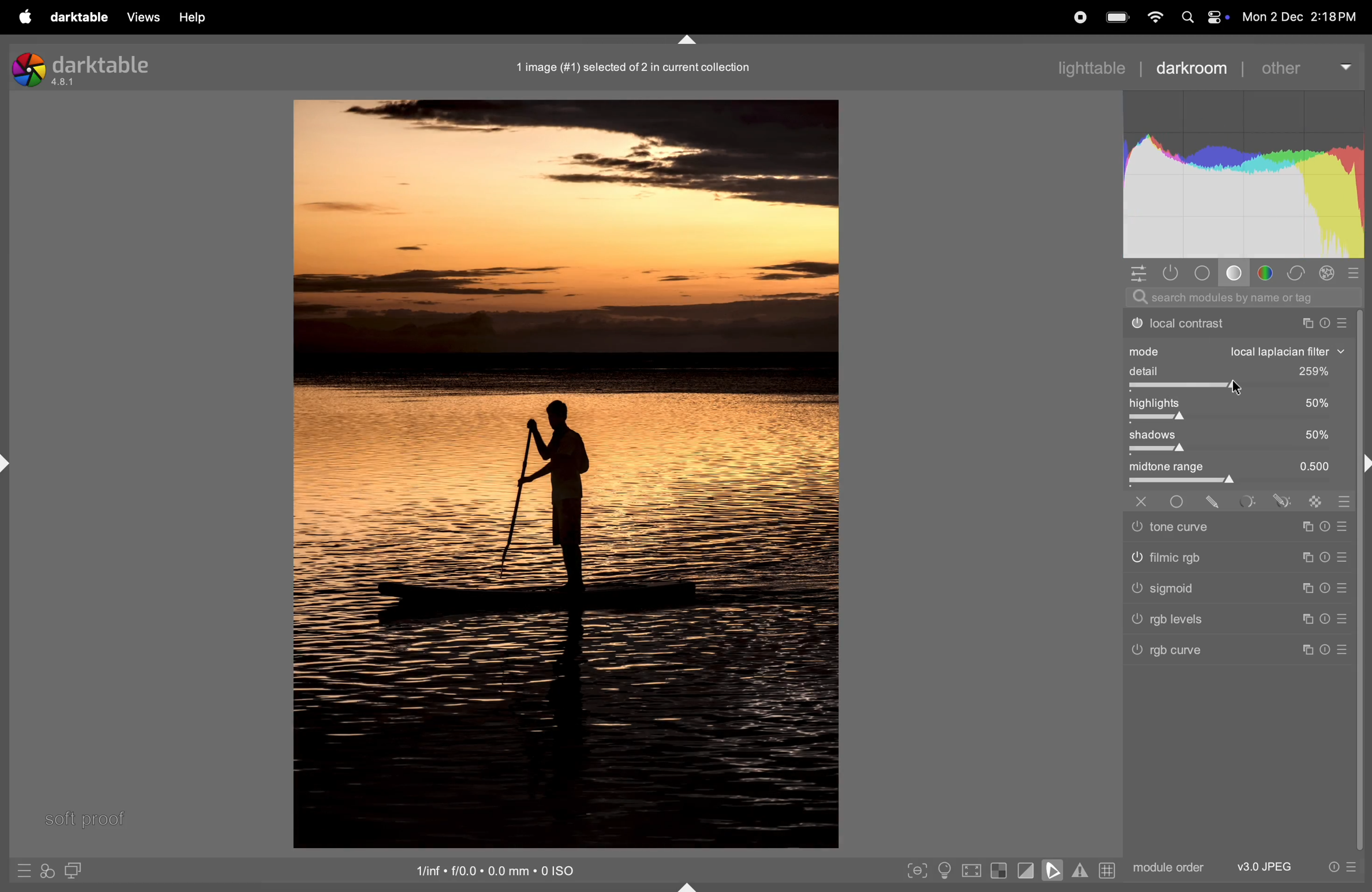  Describe the element at coordinates (1306, 649) in the screenshot. I see `sign ` at that location.